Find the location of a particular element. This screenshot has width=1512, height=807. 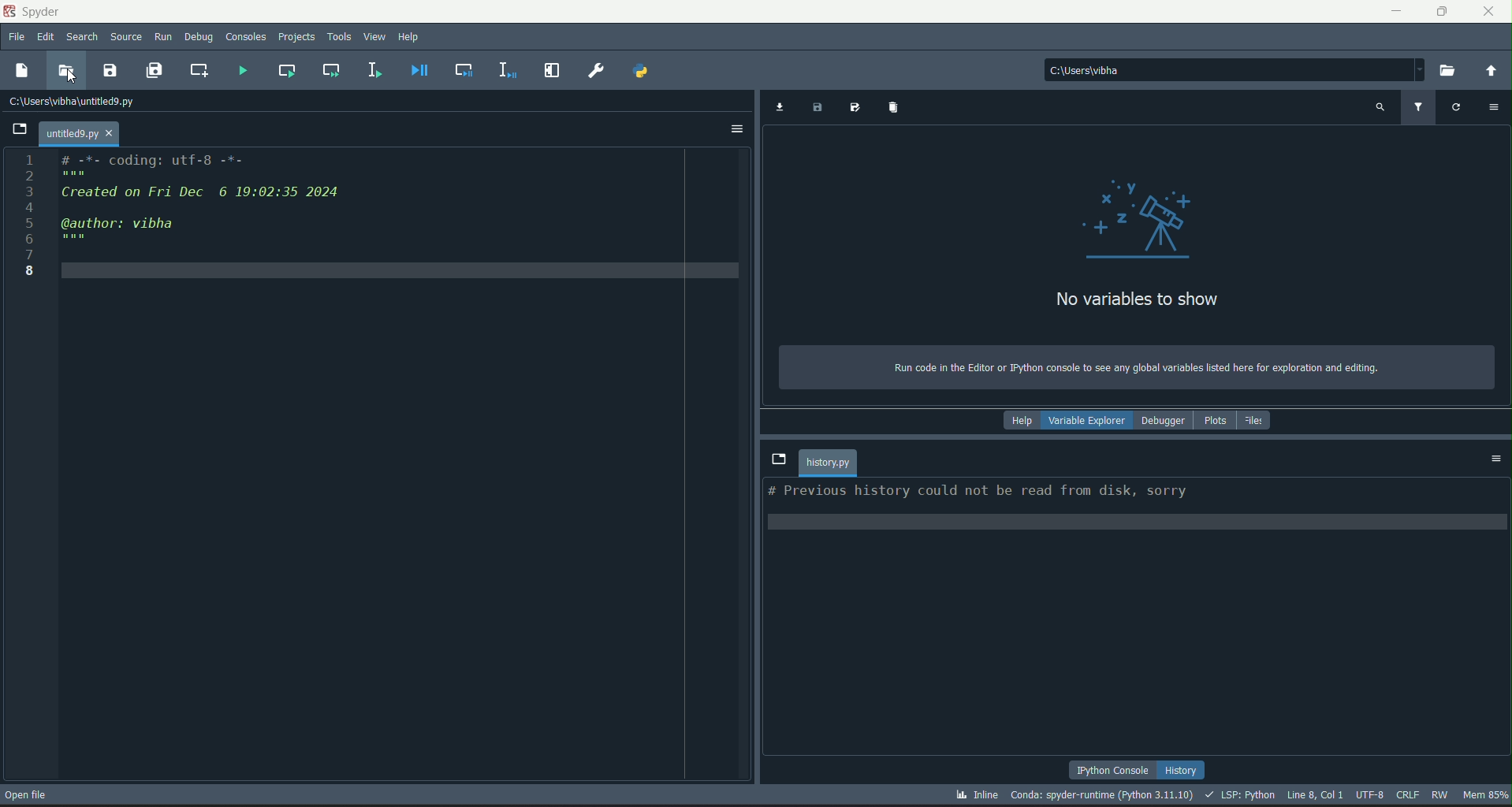

file path is located at coordinates (1235, 69).